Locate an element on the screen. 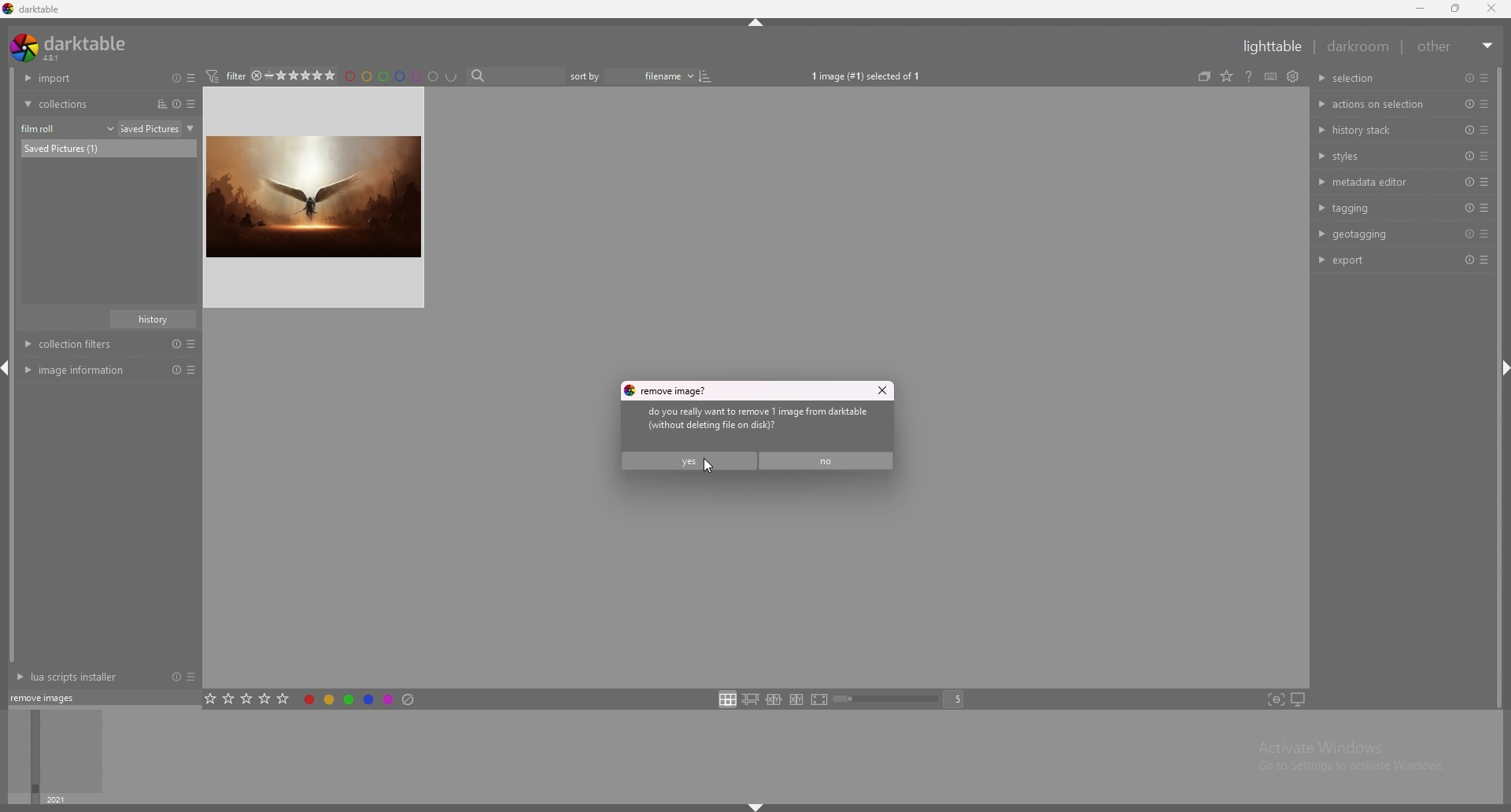 This screenshot has width=1511, height=812. resize is located at coordinates (1458, 9).